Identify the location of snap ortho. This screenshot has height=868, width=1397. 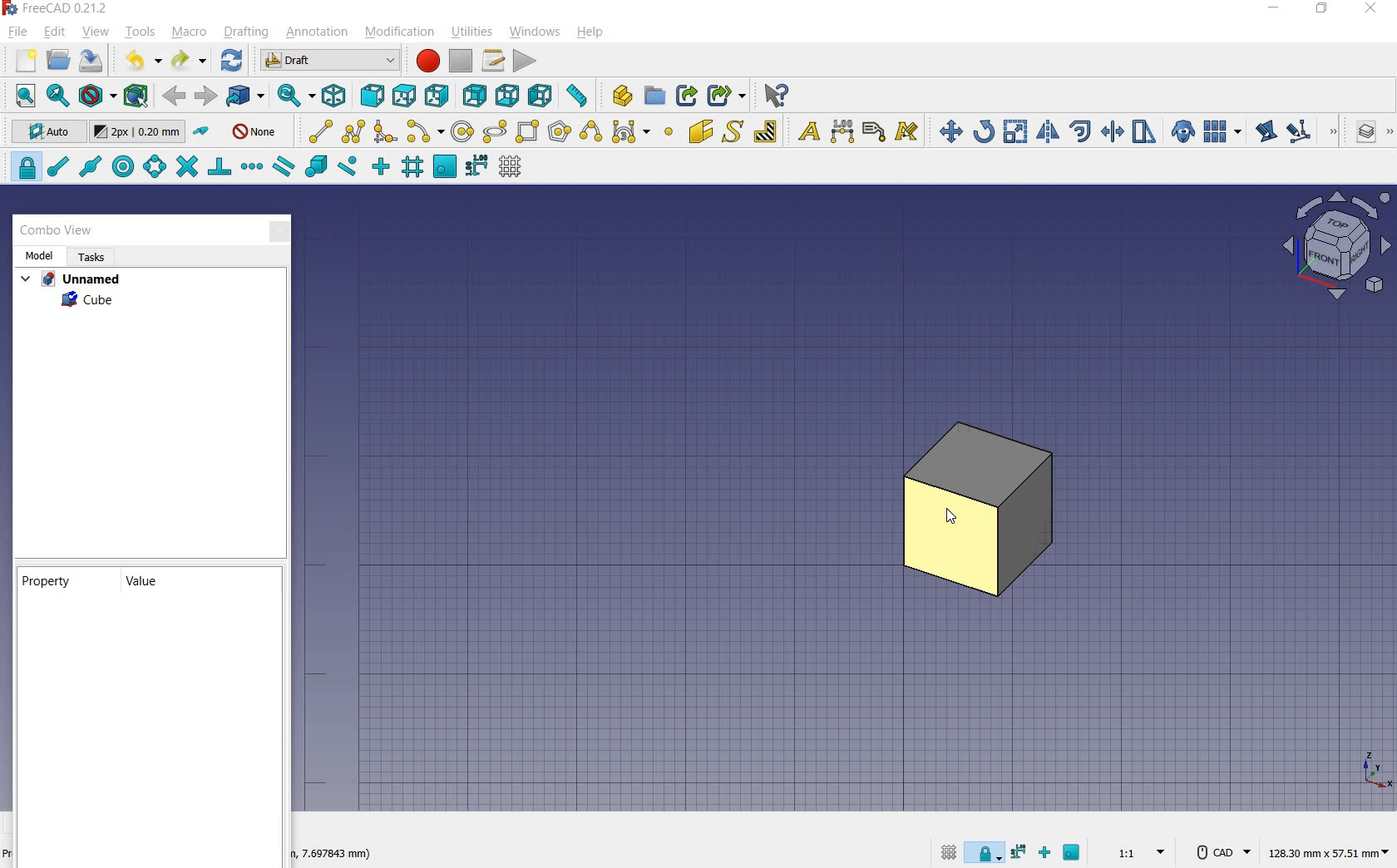
(379, 165).